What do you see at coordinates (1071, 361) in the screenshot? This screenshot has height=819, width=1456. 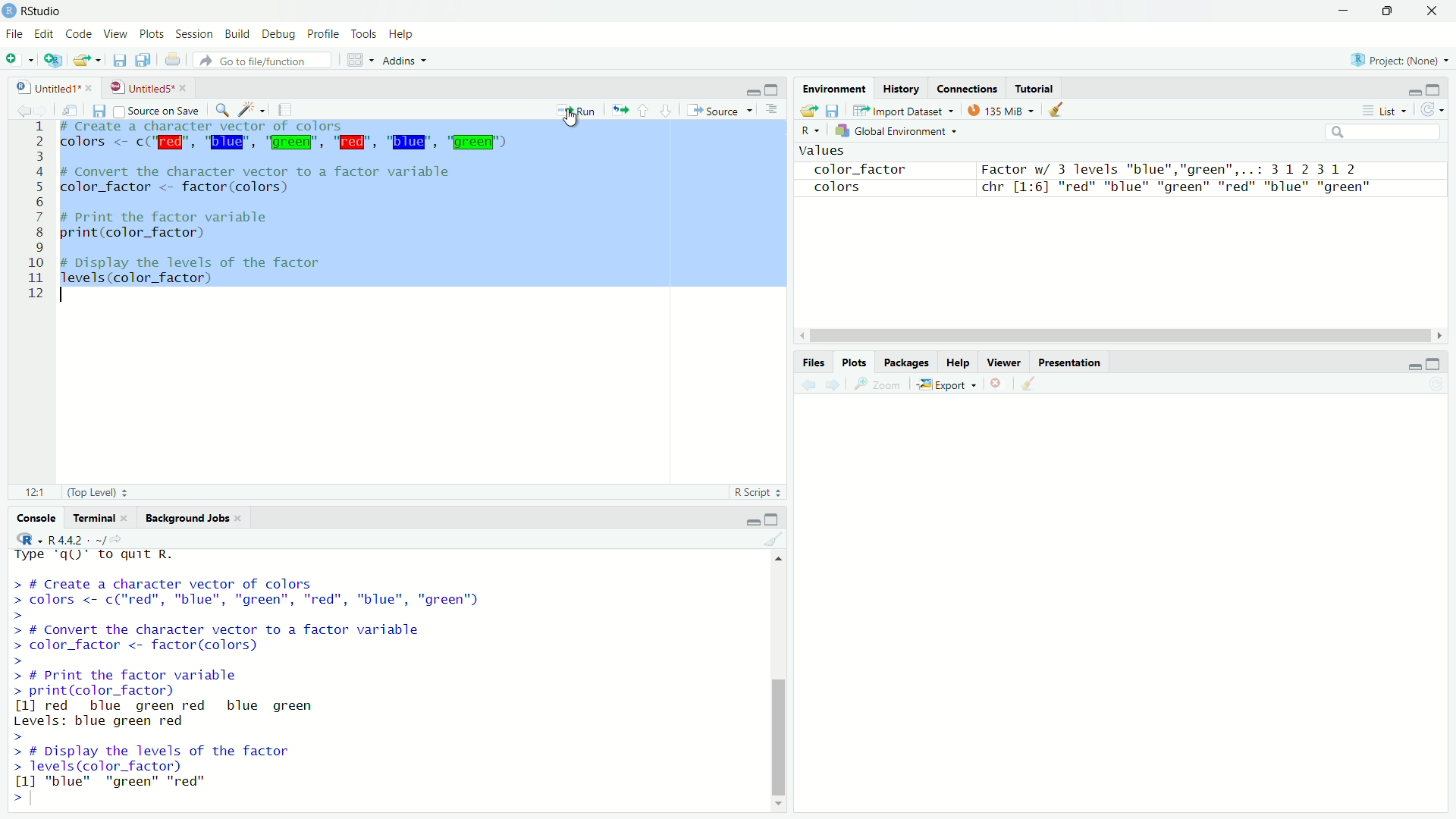 I see `Presentation` at bounding box center [1071, 361].